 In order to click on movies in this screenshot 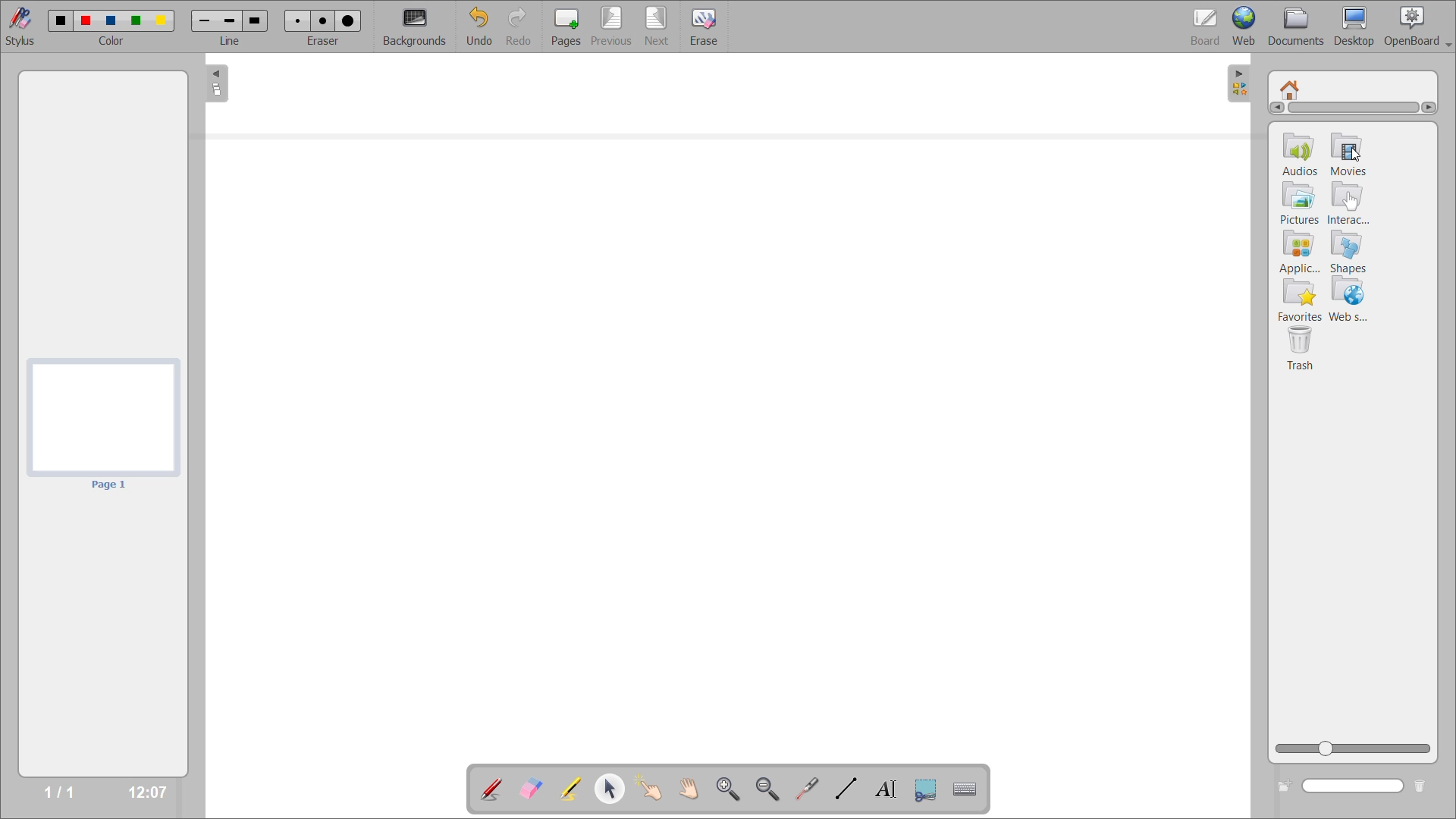, I will do `click(1360, 169)`.